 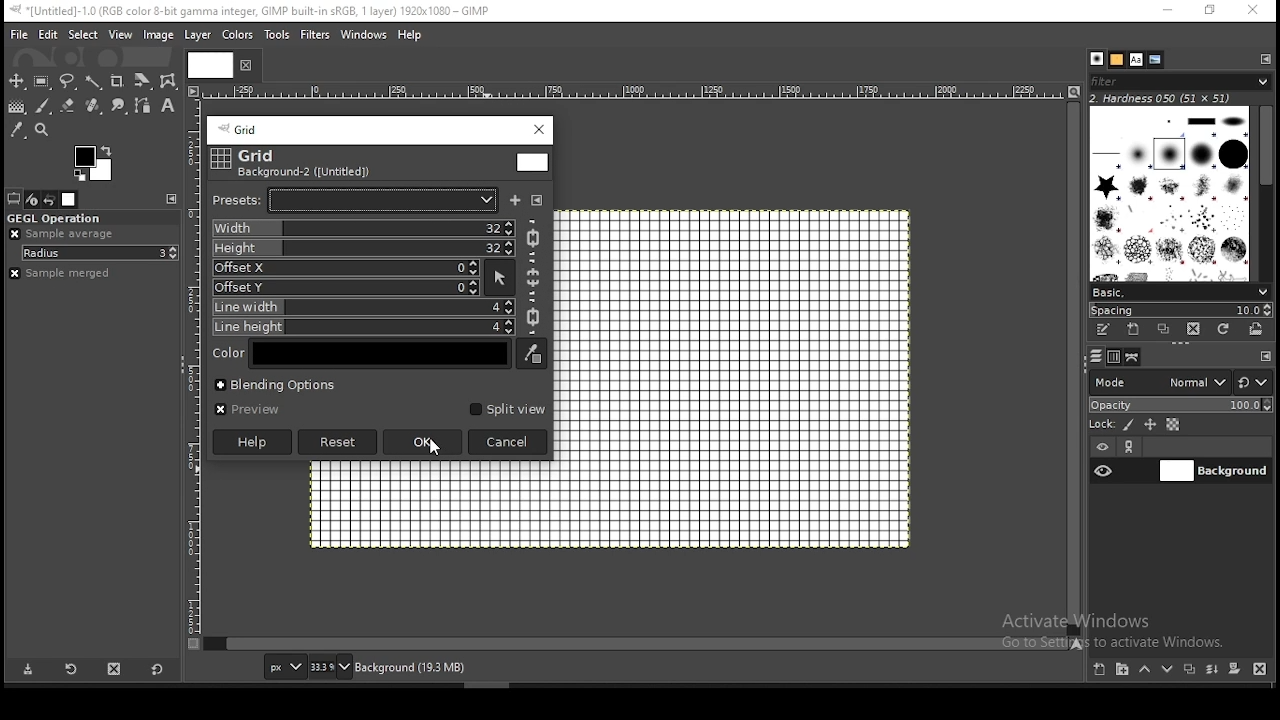 I want to click on duplicate layer, so click(x=1189, y=672).